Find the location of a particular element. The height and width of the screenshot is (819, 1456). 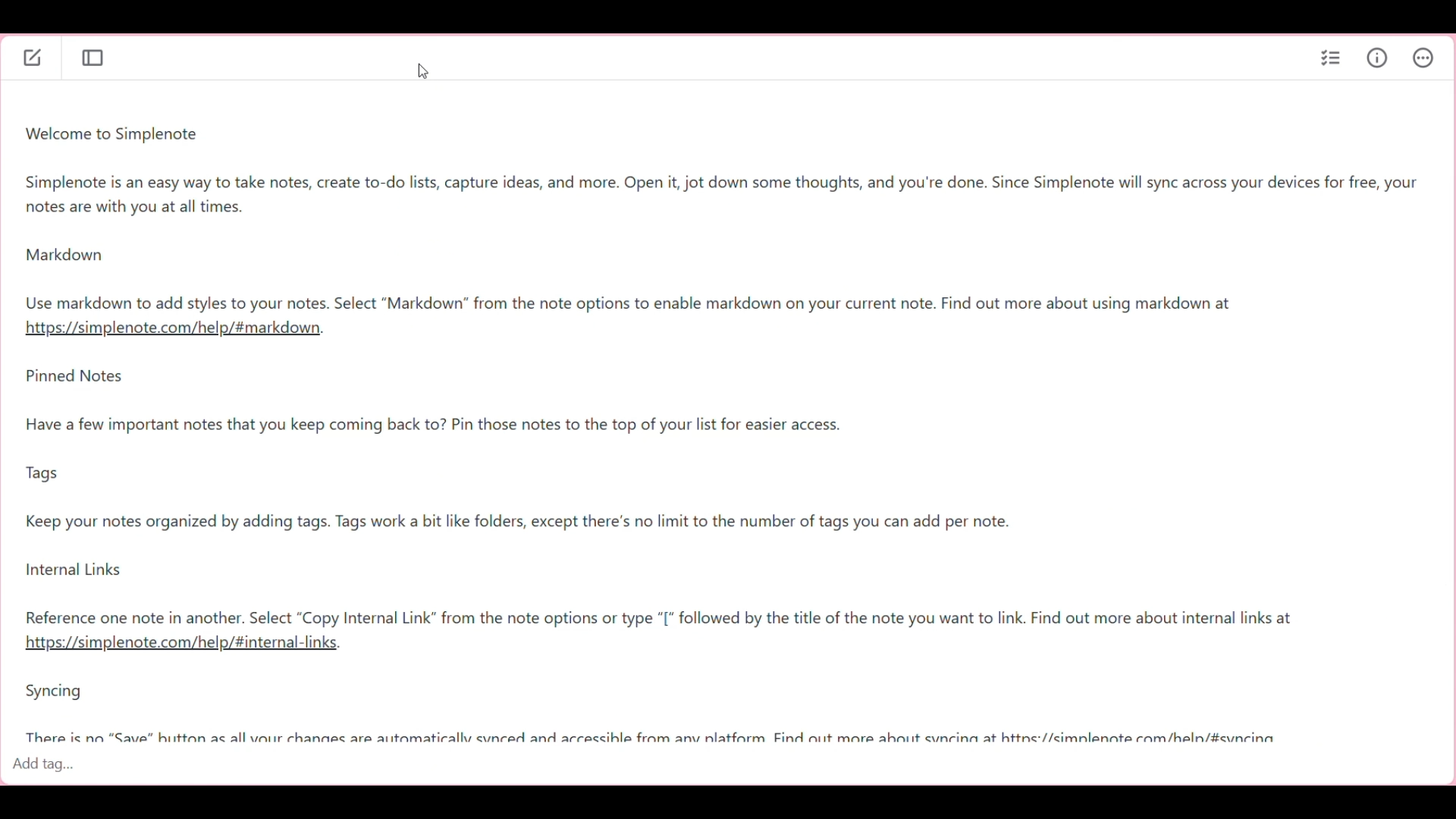

link2 is located at coordinates (190, 642).